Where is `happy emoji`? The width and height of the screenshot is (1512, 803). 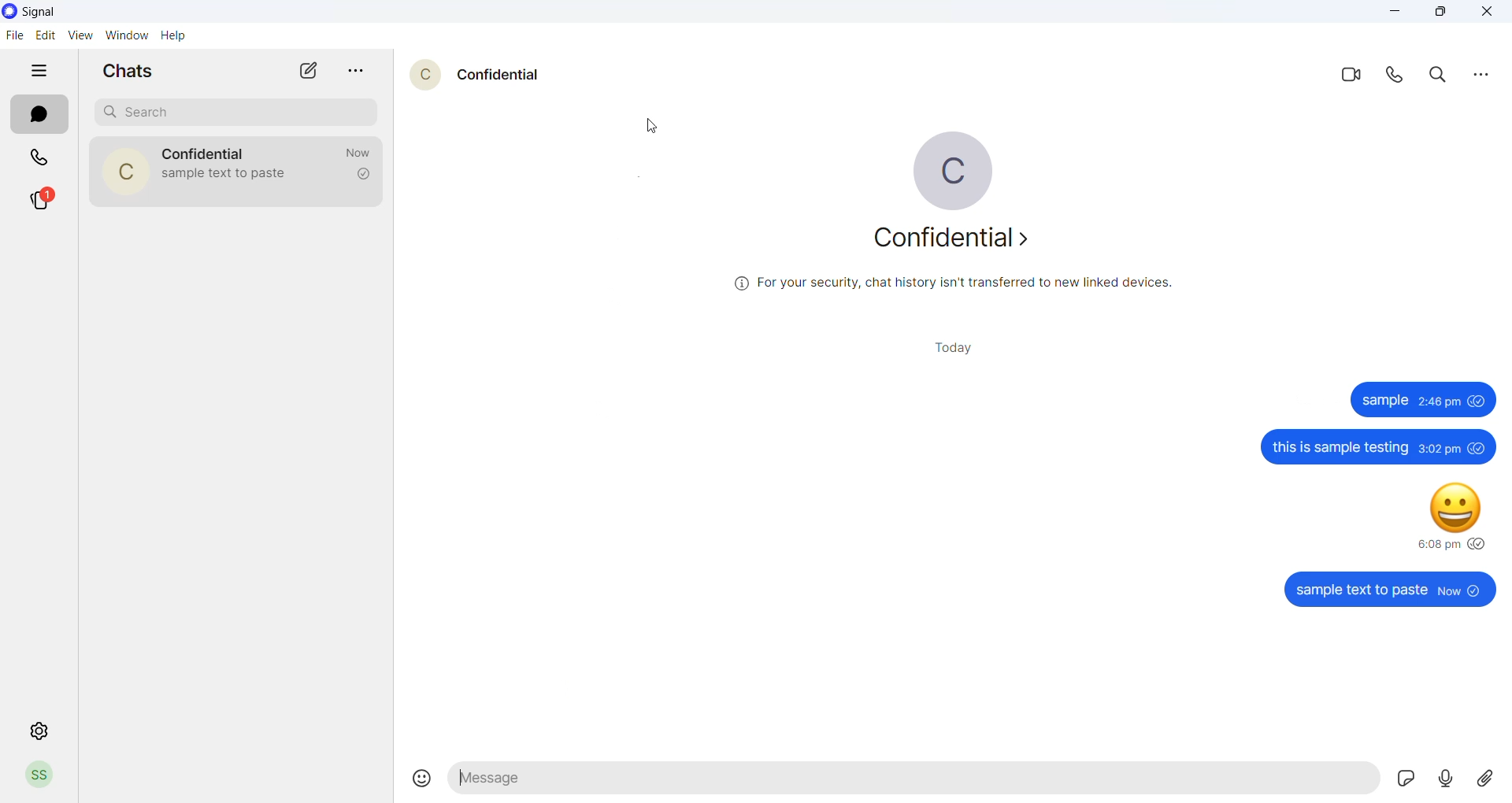 happy emoji is located at coordinates (1452, 516).